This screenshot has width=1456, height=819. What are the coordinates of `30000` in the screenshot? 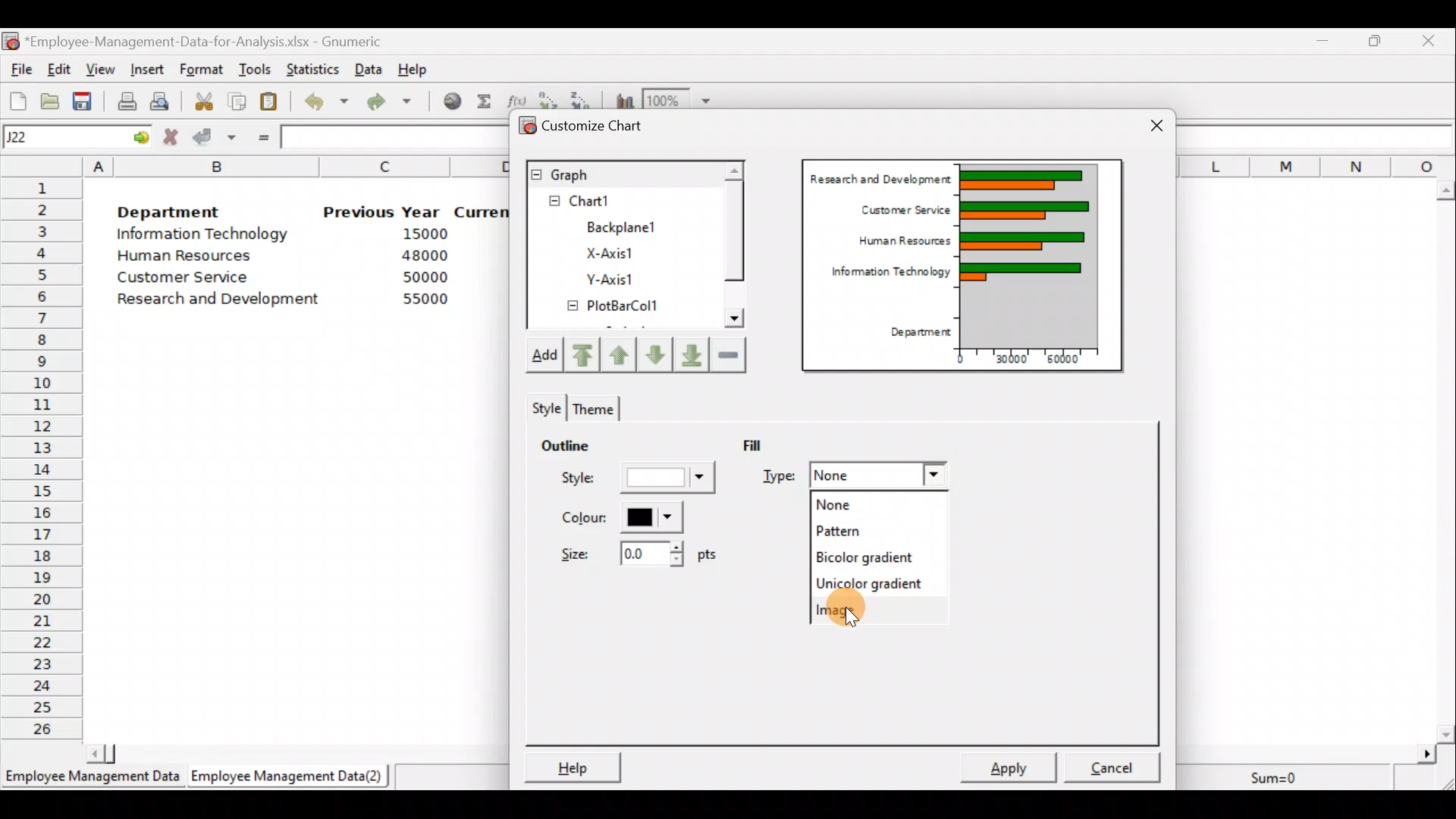 It's located at (1007, 360).